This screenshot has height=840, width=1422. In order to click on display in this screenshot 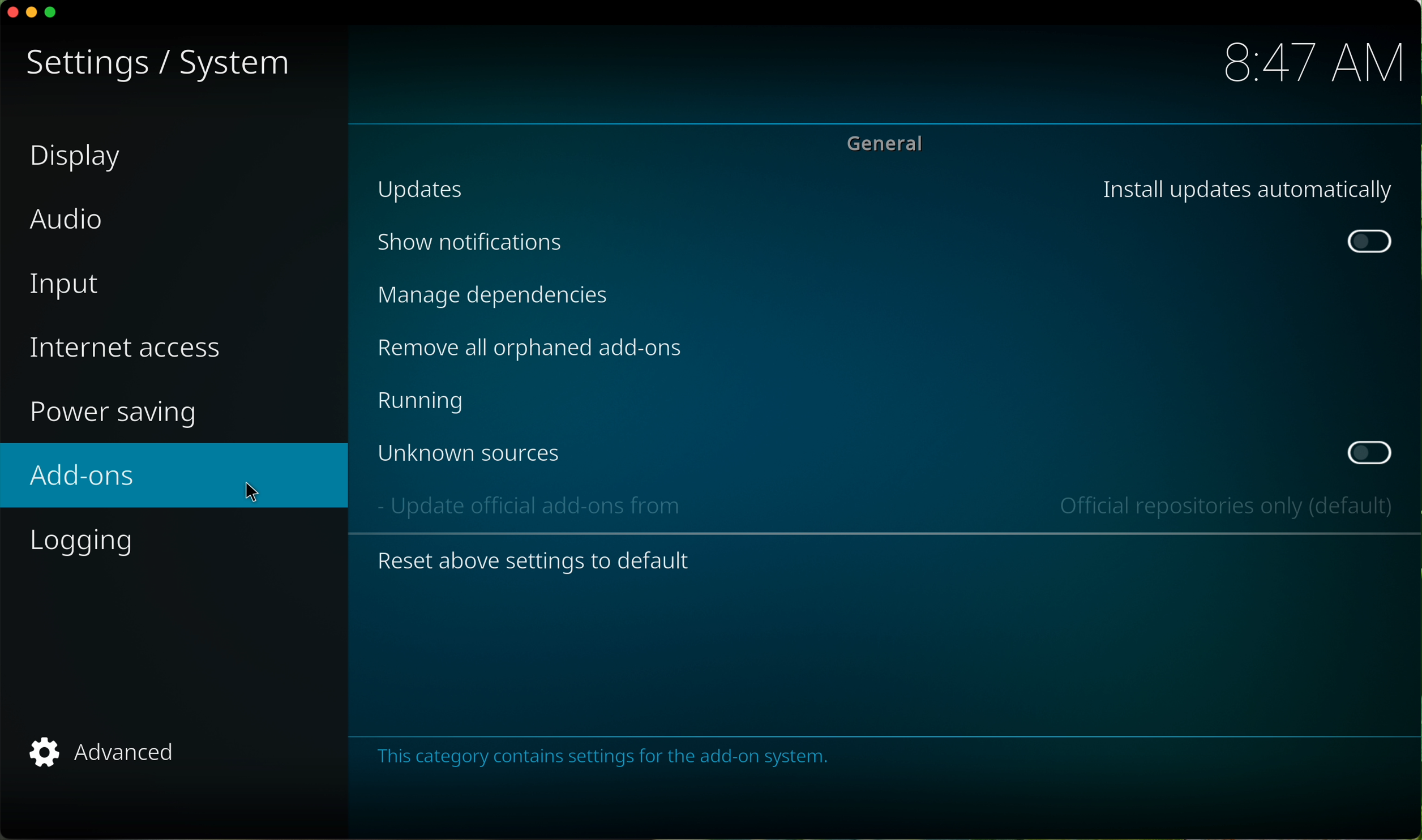, I will do `click(76, 160)`.